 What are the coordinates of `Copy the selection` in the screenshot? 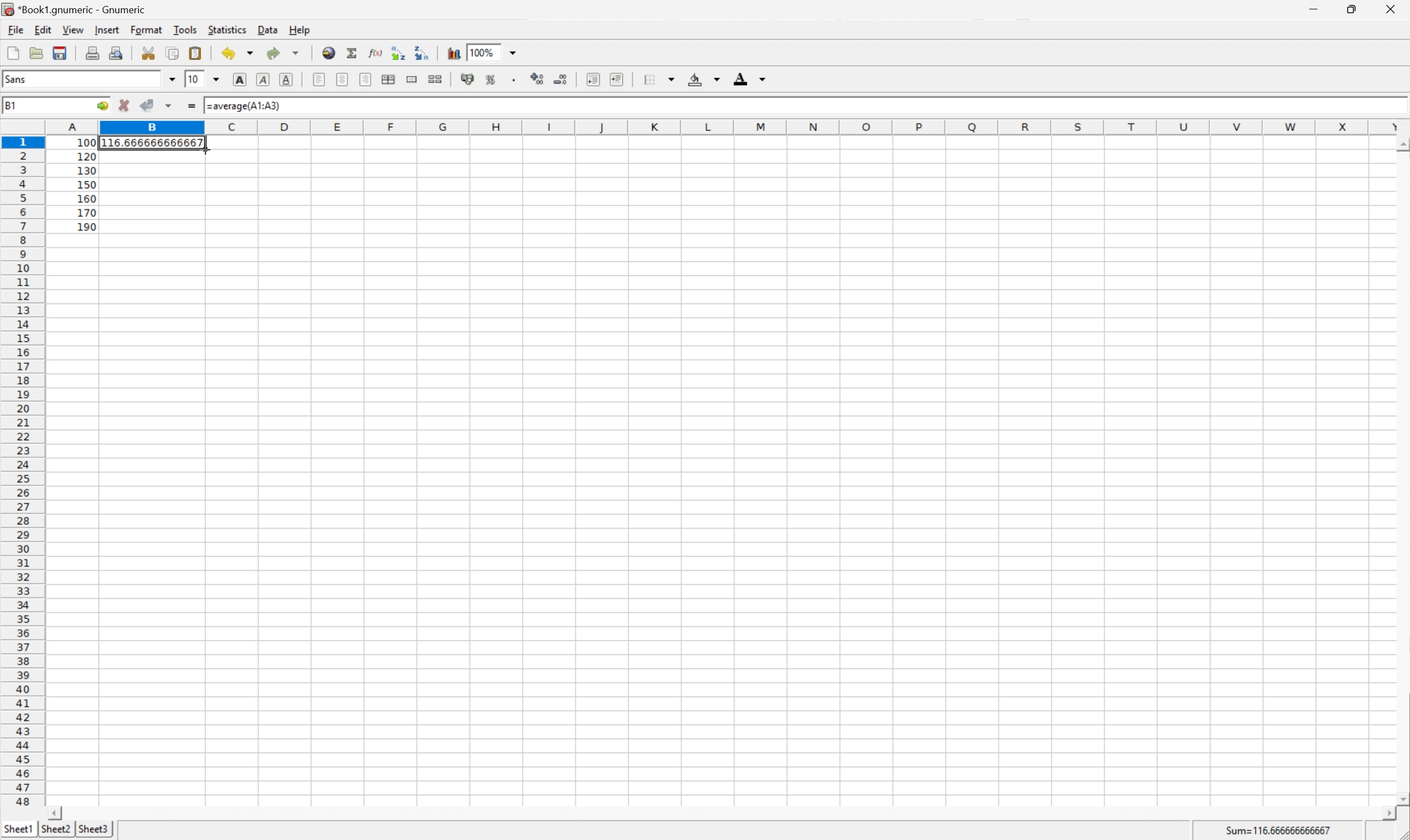 It's located at (173, 54).